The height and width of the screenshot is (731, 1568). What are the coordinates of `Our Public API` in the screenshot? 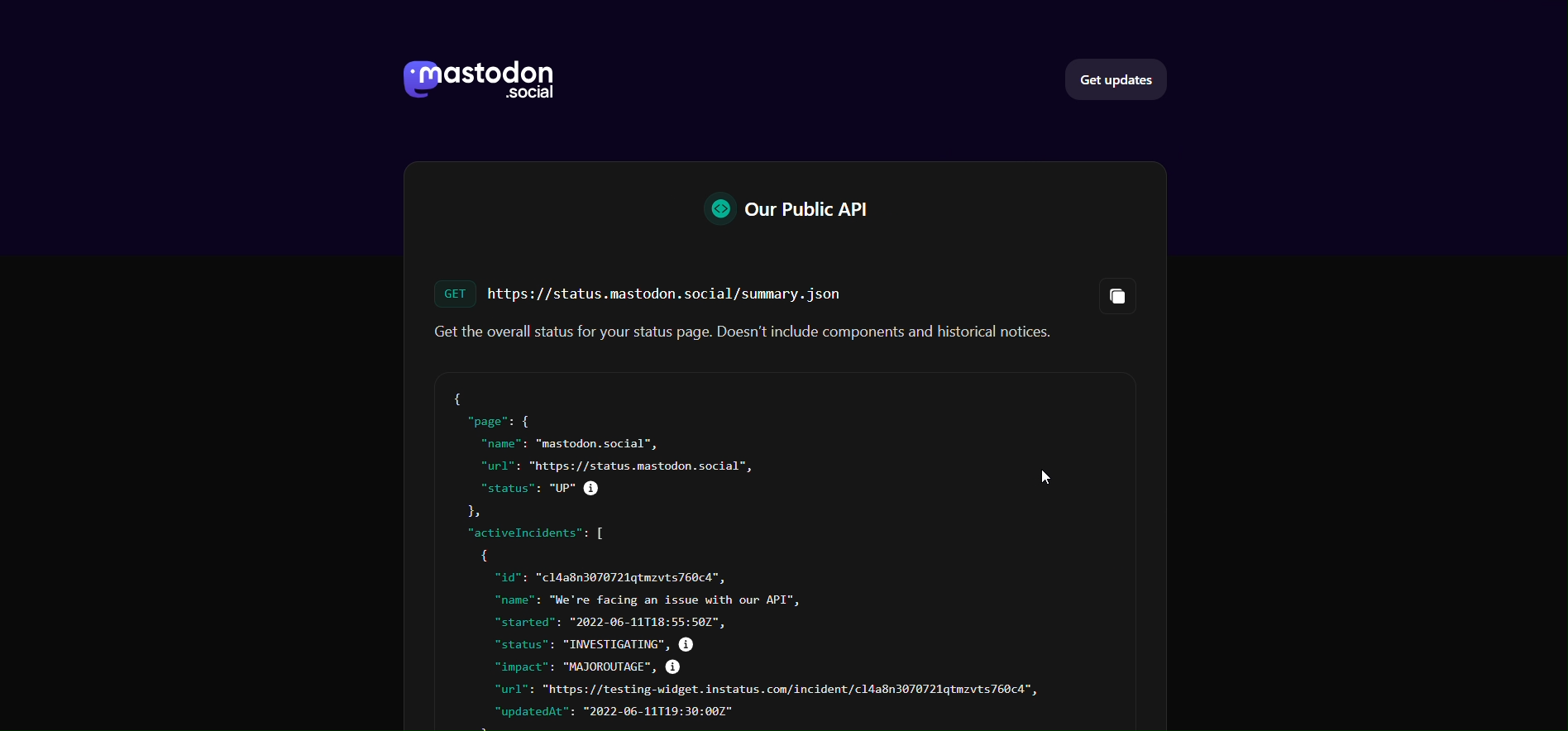 It's located at (801, 212).